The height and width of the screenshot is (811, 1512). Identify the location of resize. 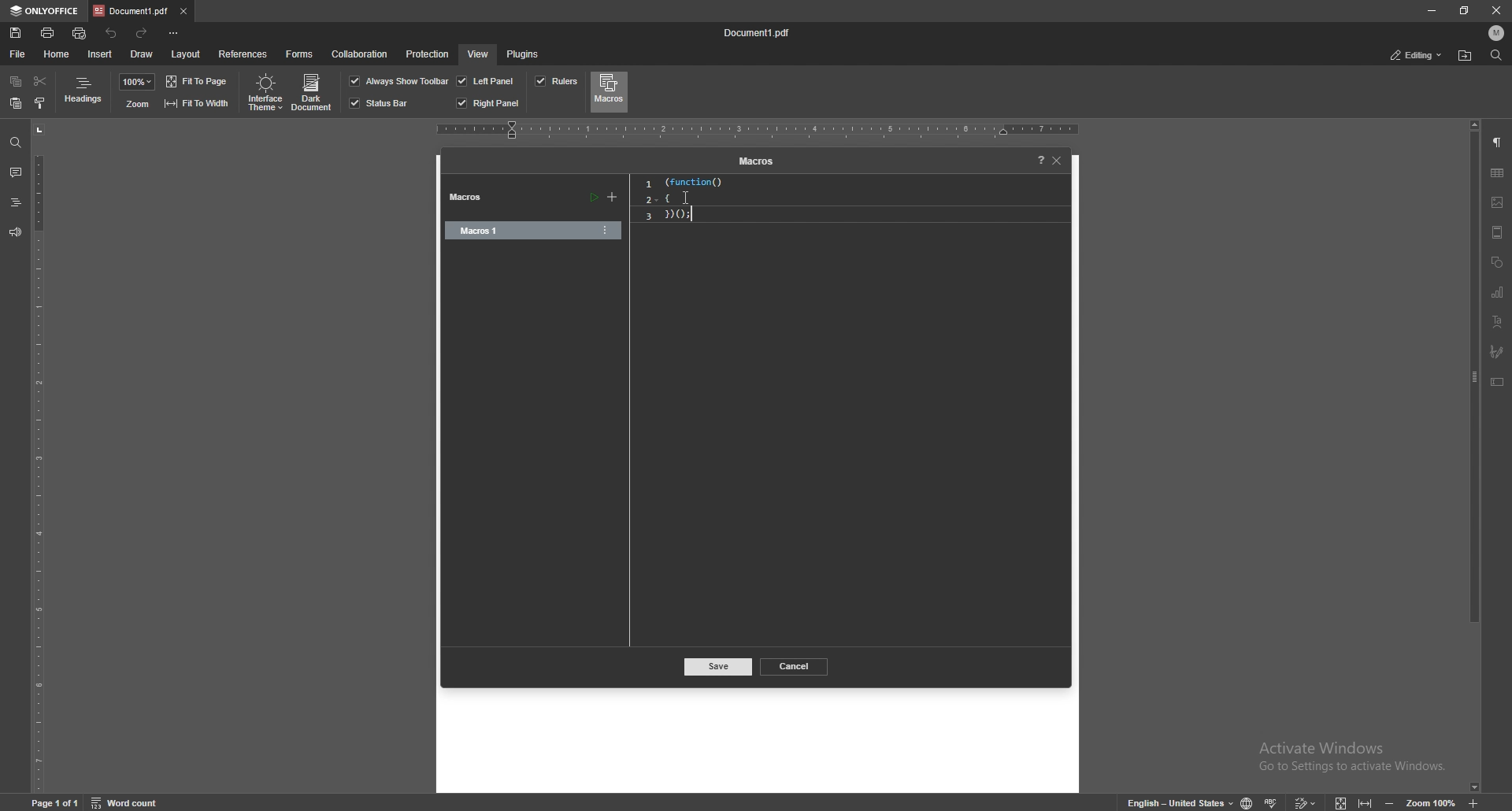
(1464, 11).